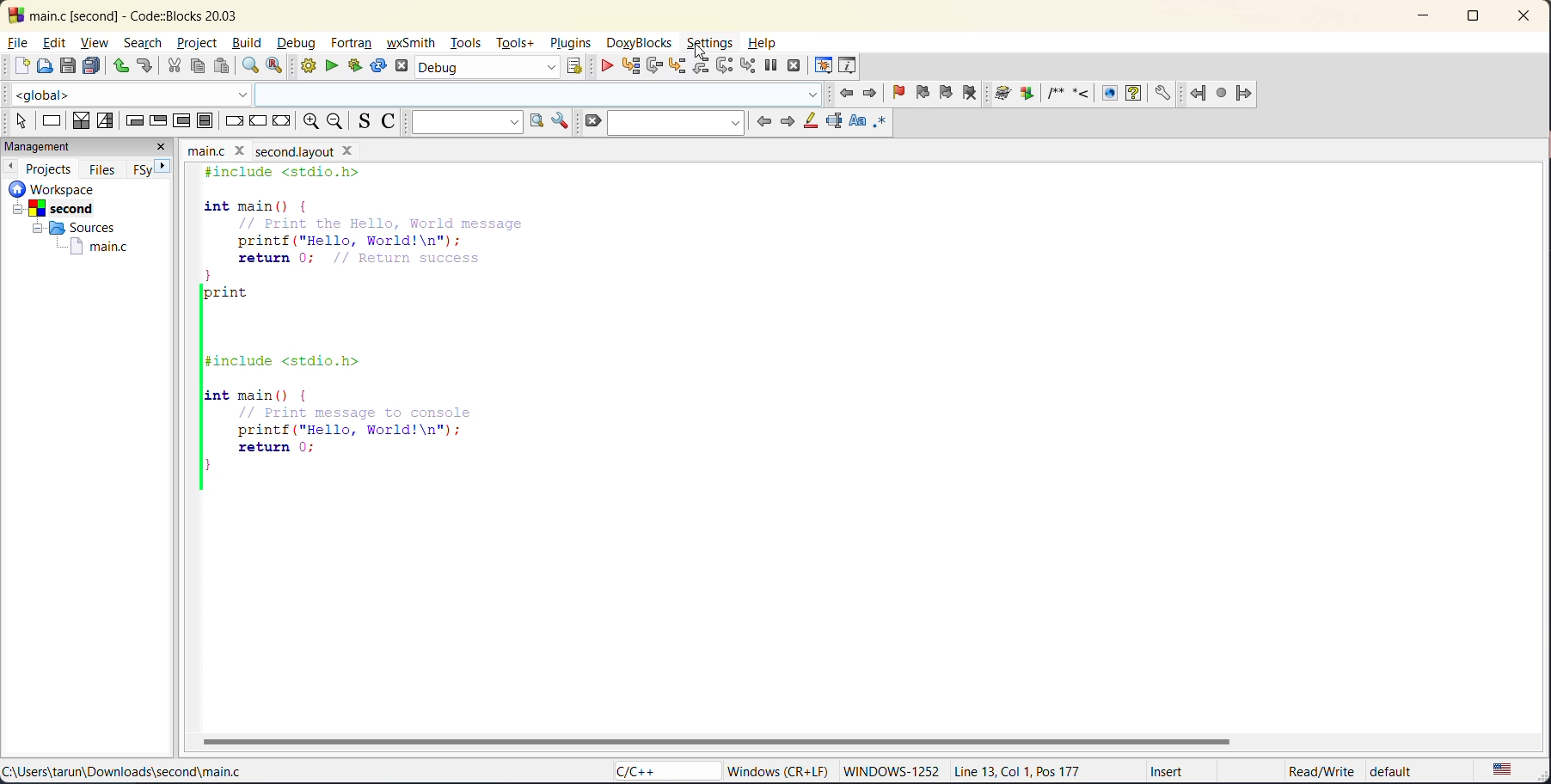  I want to click on windows-1252, so click(891, 772).